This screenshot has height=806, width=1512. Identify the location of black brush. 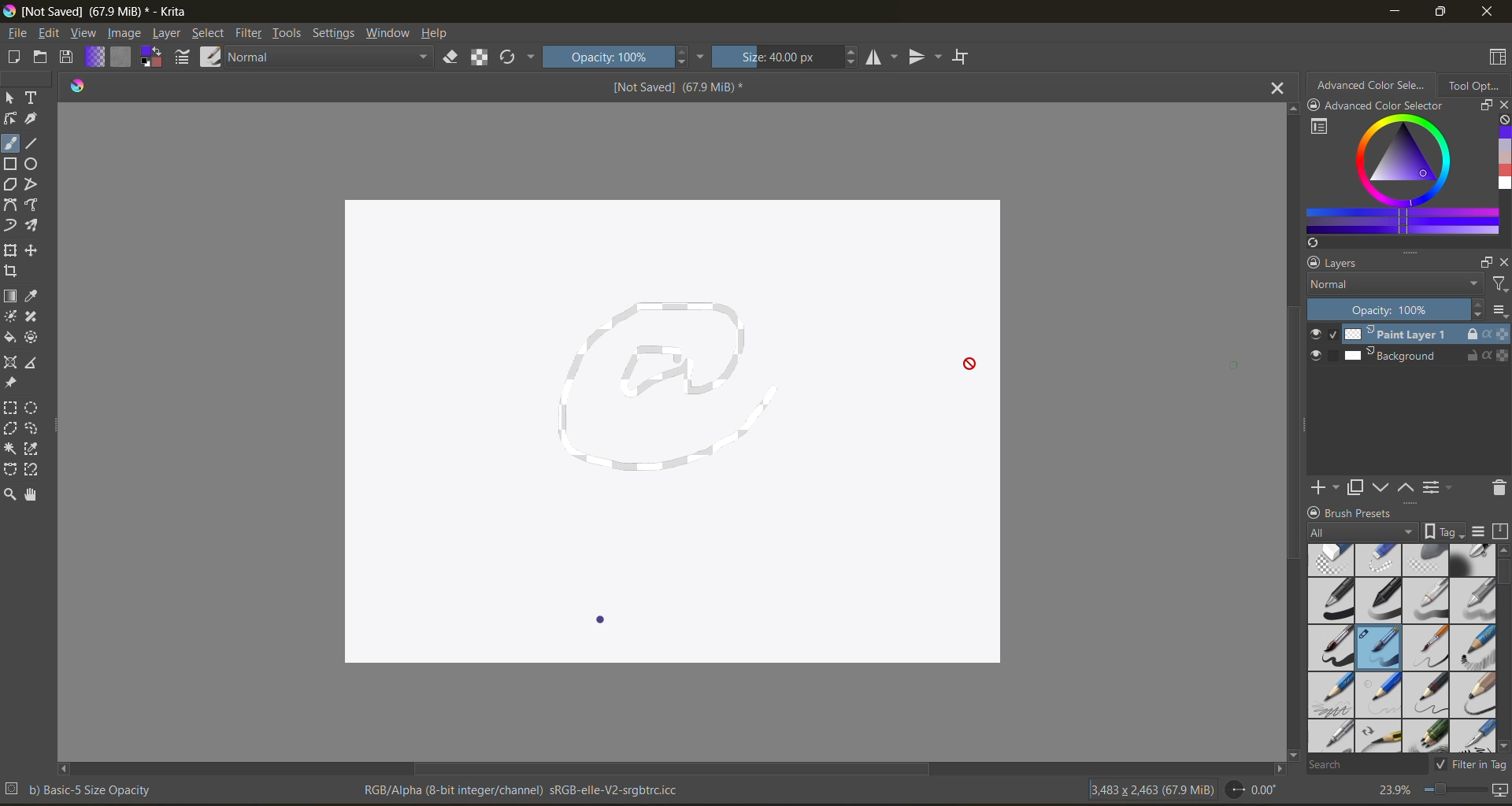
(1330, 648).